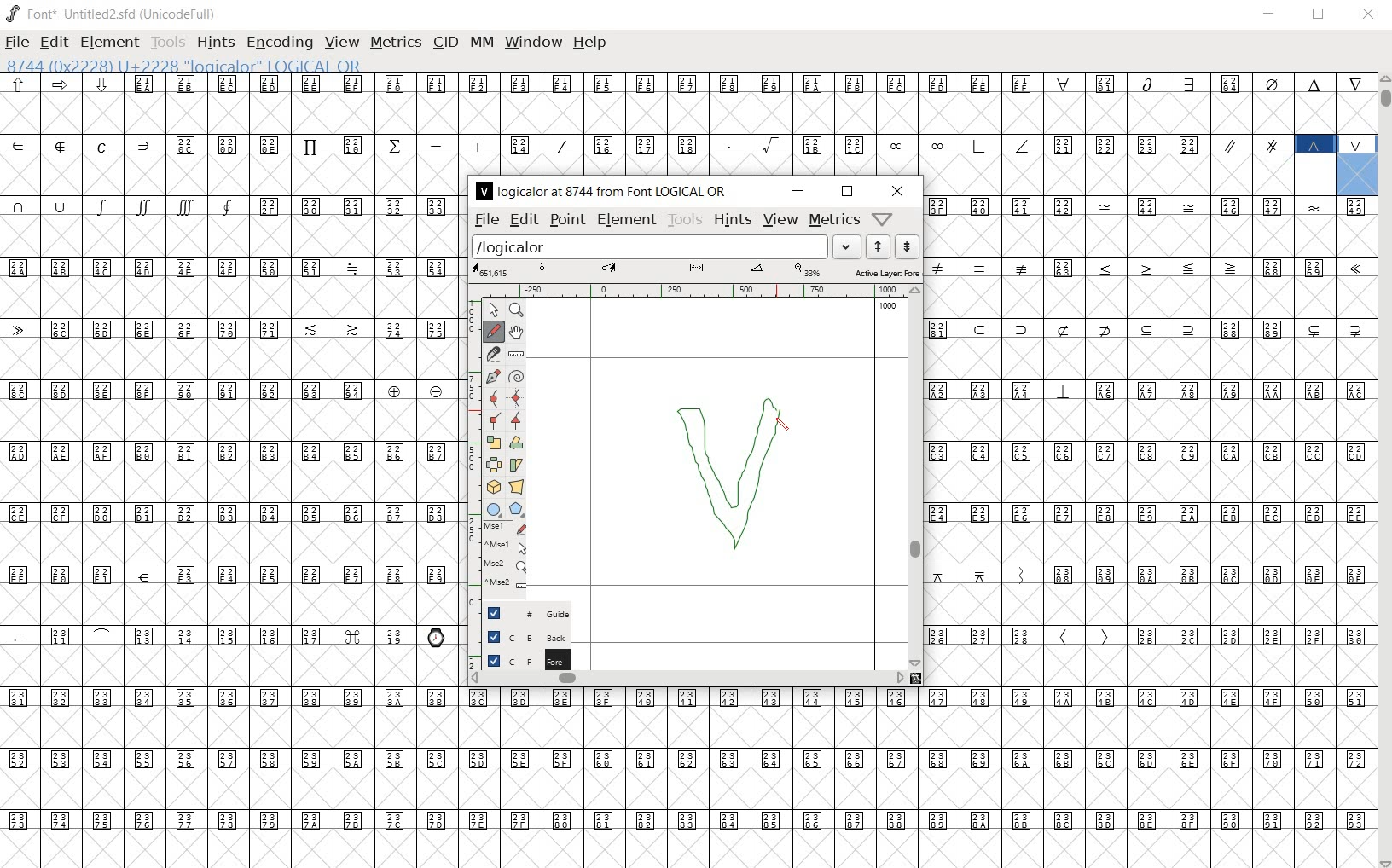 This screenshot has width=1392, height=868. What do you see at coordinates (1151, 501) in the screenshot?
I see `glyph characters` at bounding box center [1151, 501].